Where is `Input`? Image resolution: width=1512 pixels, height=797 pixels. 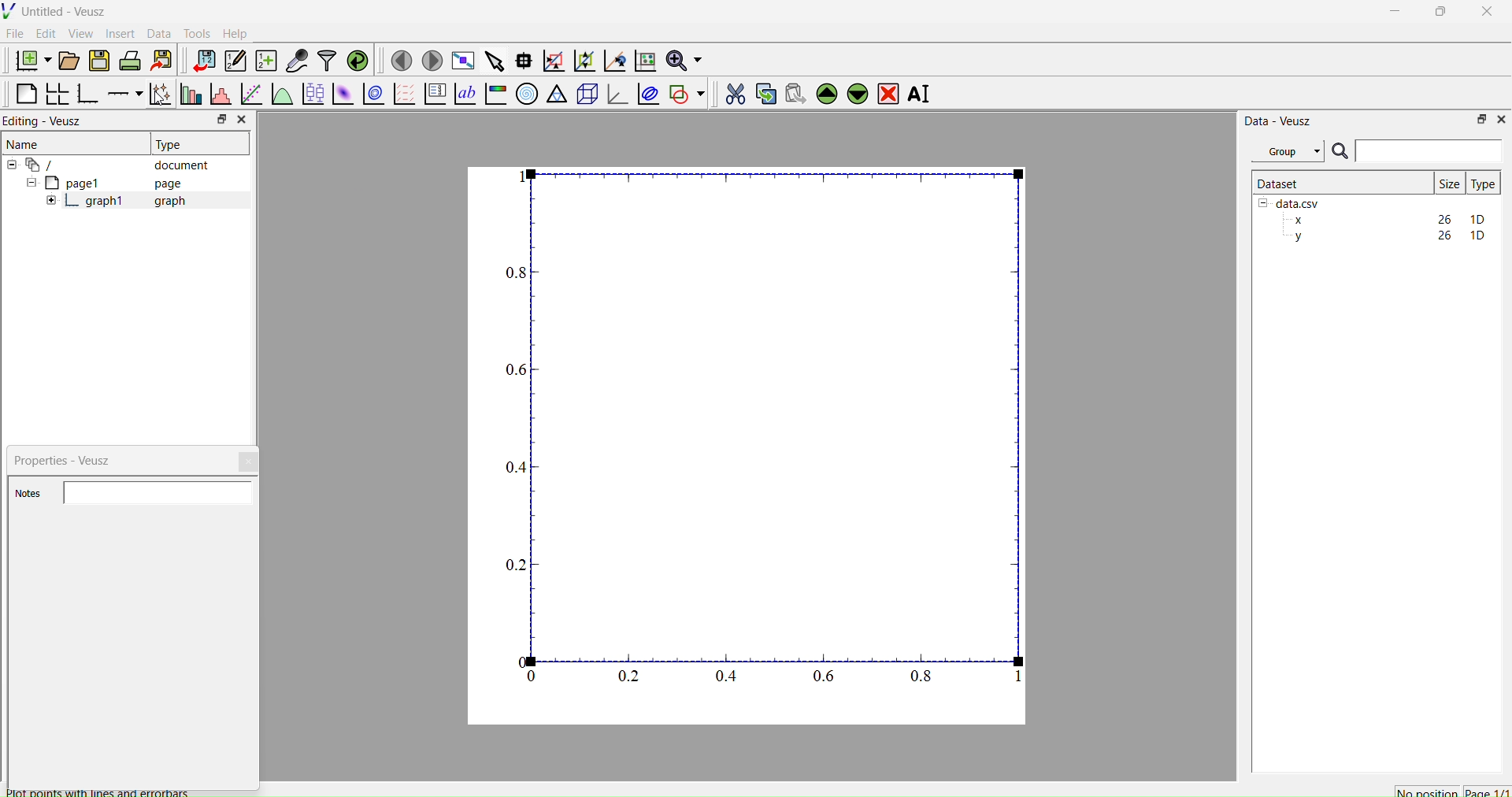 Input is located at coordinates (161, 491).